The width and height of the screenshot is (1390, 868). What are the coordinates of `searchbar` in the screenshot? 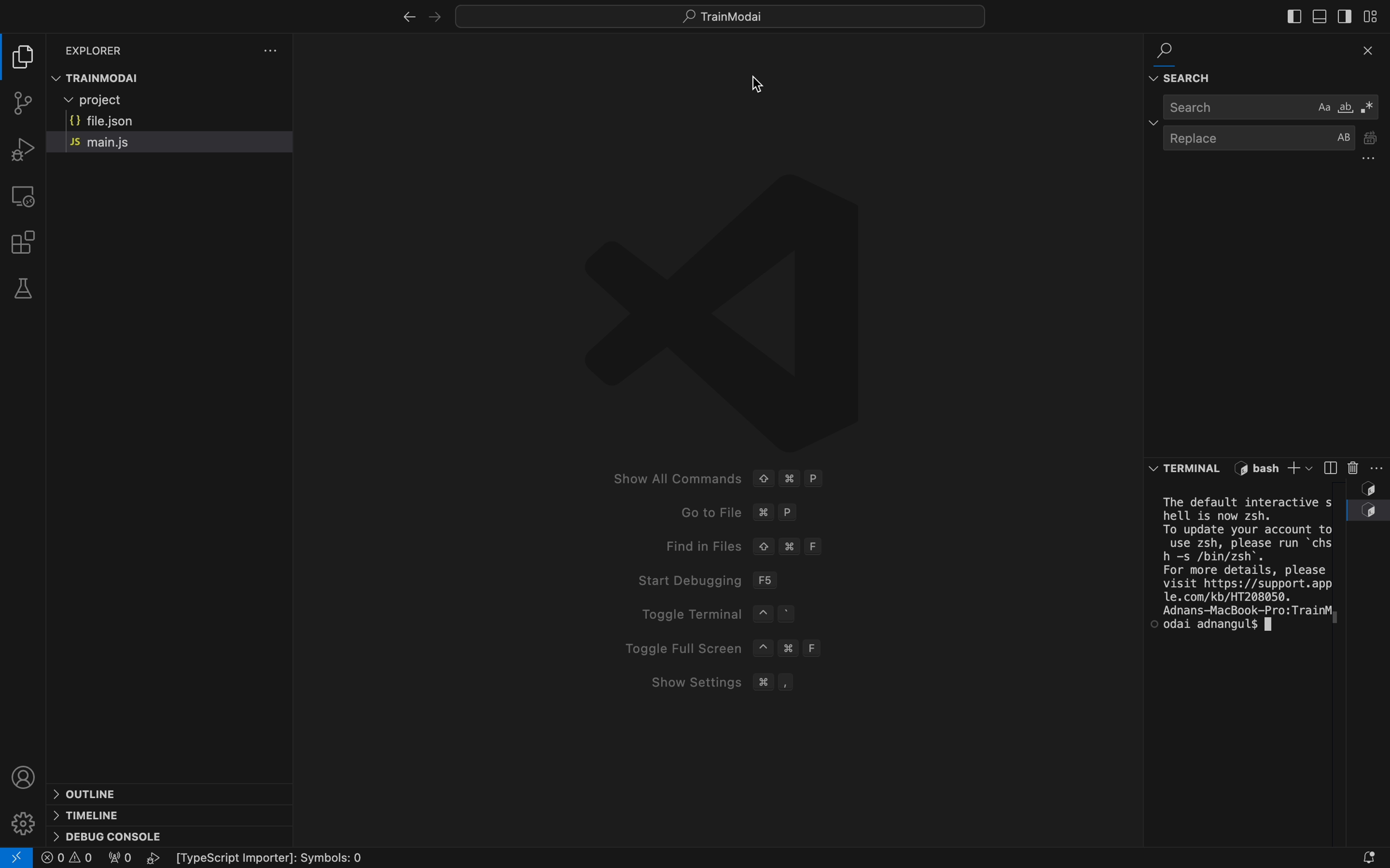 It's located at (727, 17).